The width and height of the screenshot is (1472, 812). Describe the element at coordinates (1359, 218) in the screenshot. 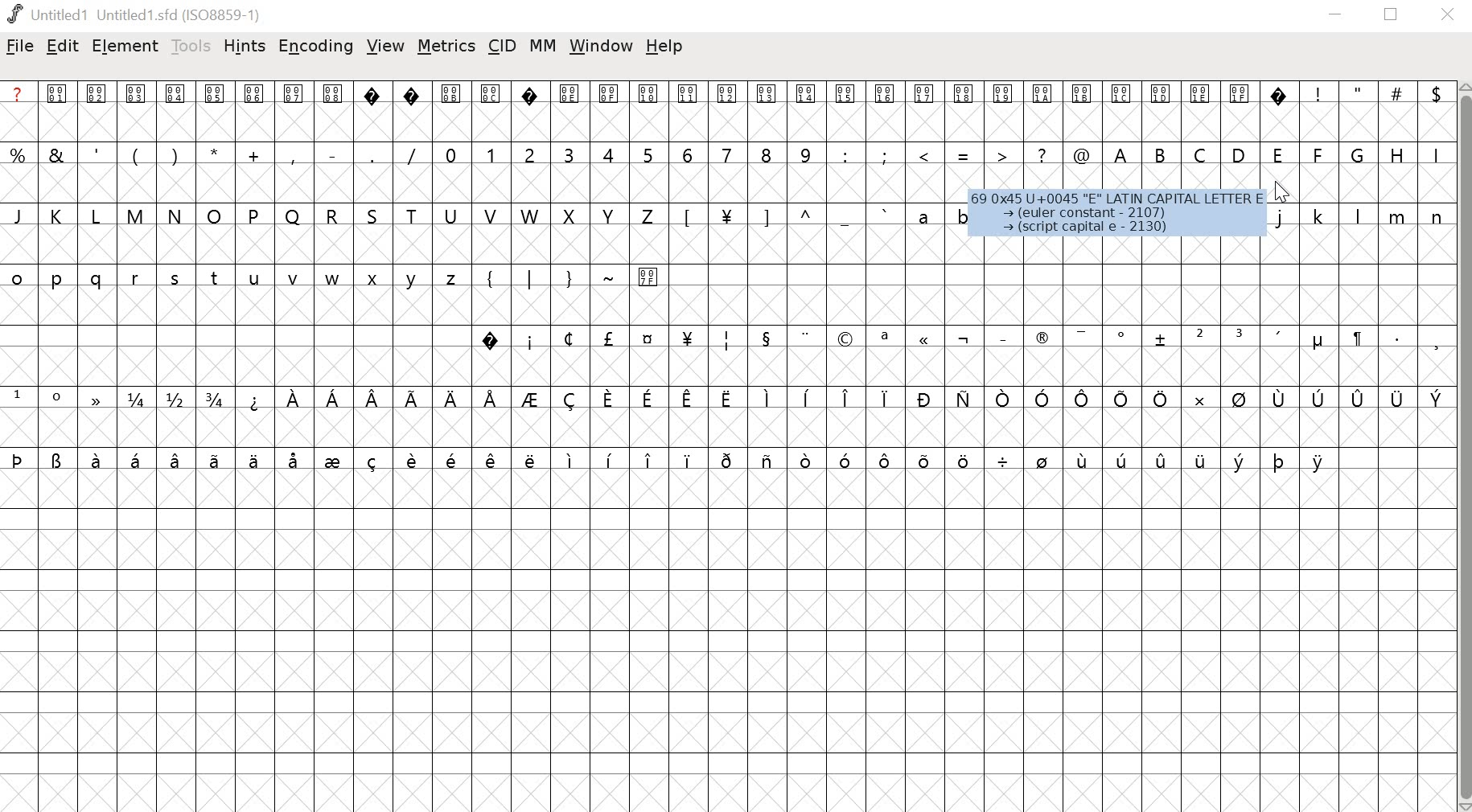

I see `lowercase alphabets` at that location.